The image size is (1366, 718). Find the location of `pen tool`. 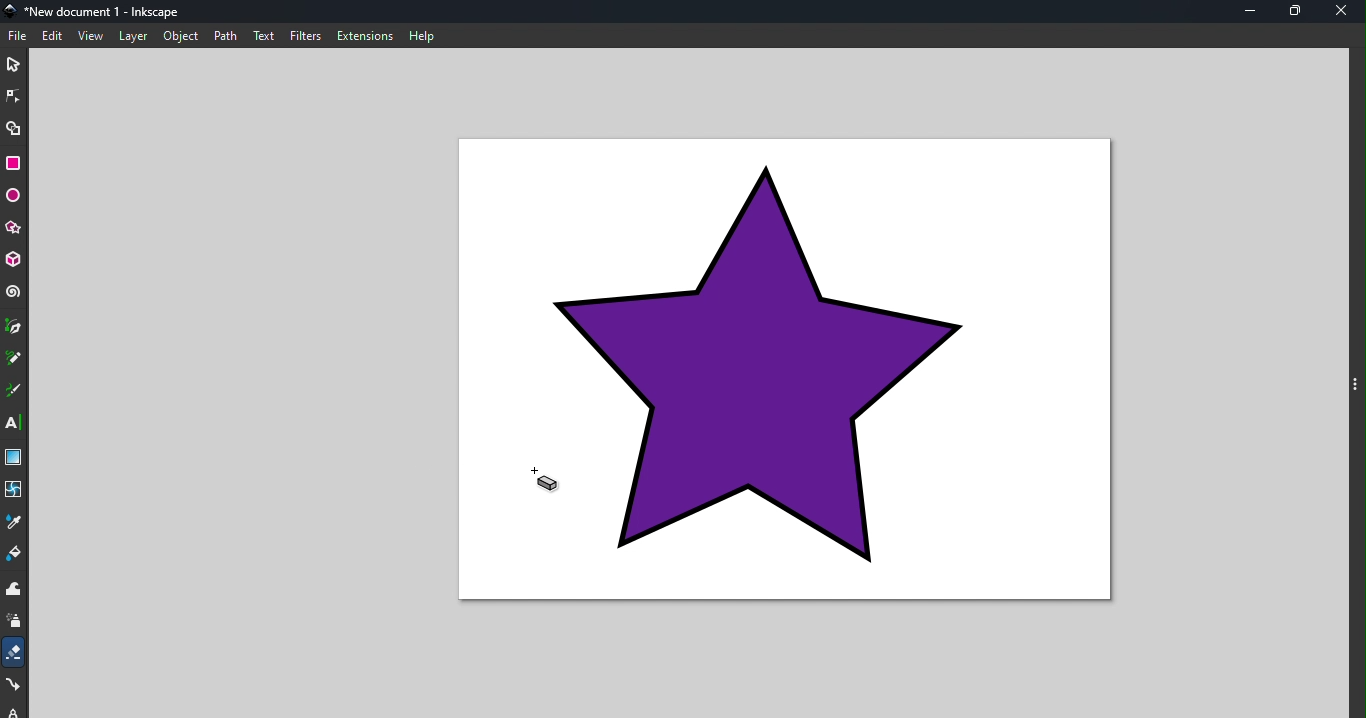

pen tool is located at coordinates (14, 327).